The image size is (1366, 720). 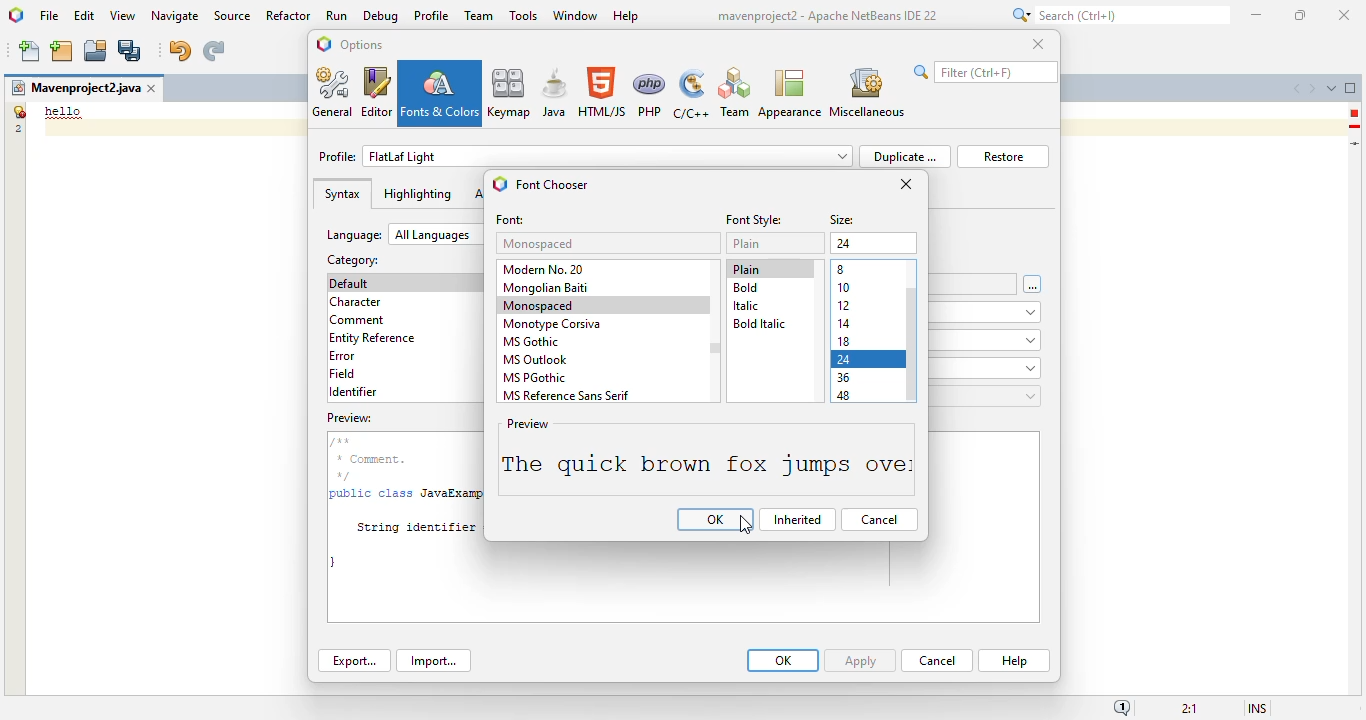 What do you see at coordinates (758, 323) in the screenshot?
I see `bold italic` at bounding box center [758, 323].